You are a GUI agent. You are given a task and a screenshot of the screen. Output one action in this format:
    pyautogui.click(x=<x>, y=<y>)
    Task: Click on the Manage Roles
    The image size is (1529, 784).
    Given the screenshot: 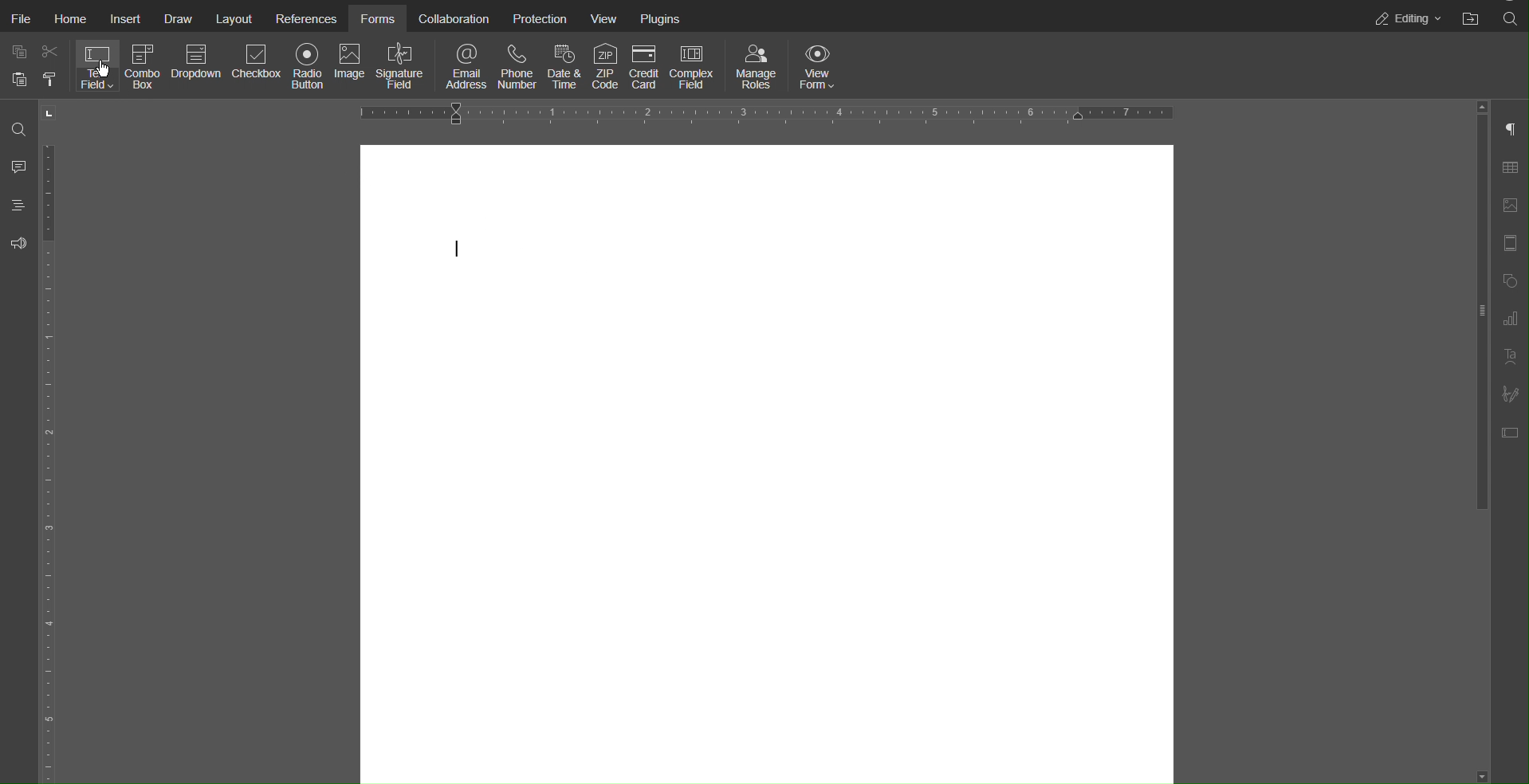 What is the action you would take?
    pyautogui.click(x=757, y=66)
    